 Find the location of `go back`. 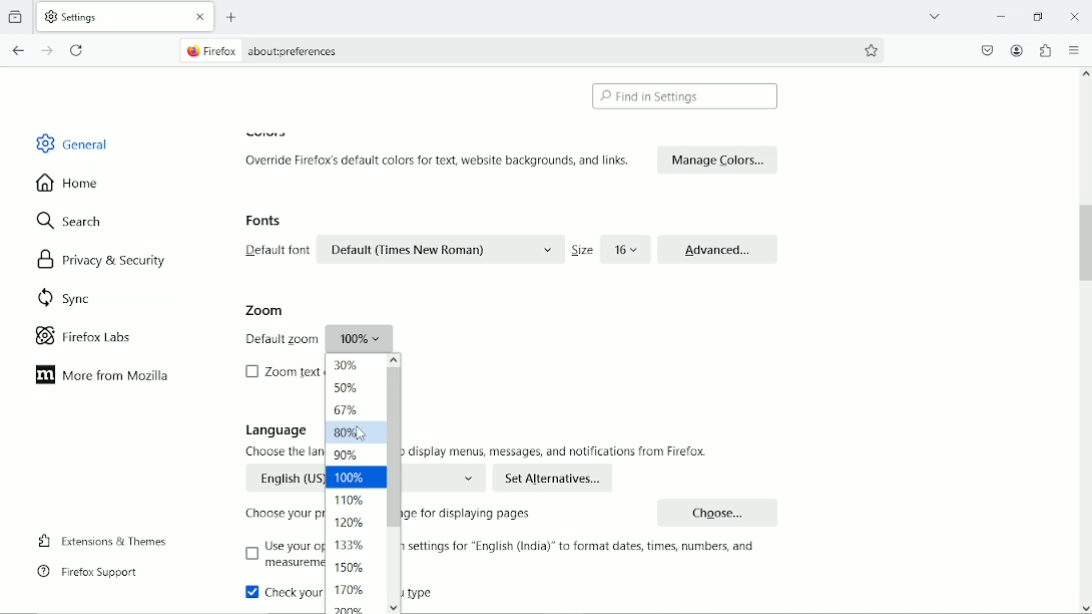

go back is located at coordinates (18, 51).